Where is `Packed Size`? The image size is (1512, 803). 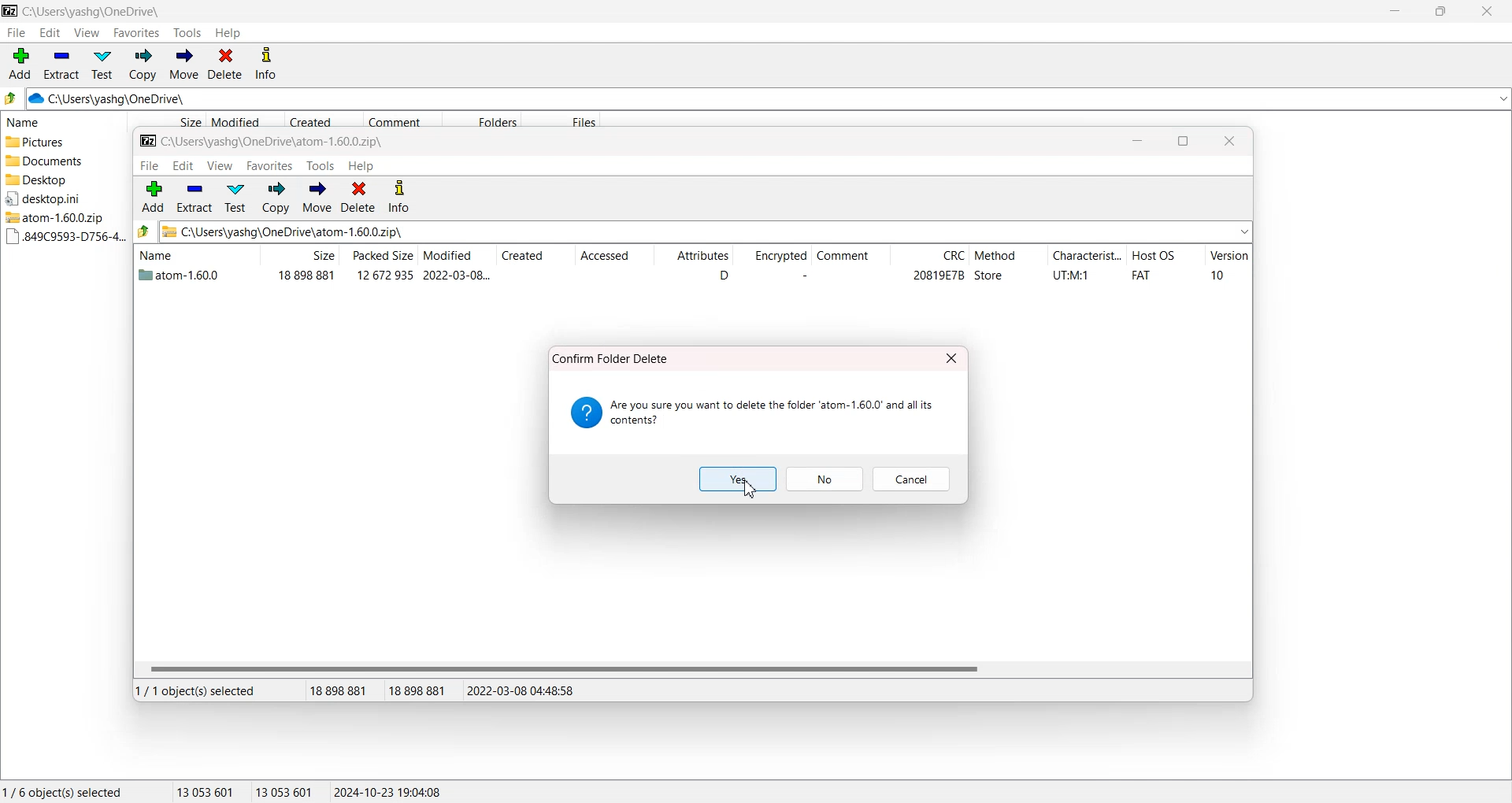 Packed Size is located at coordinates (378, 255).